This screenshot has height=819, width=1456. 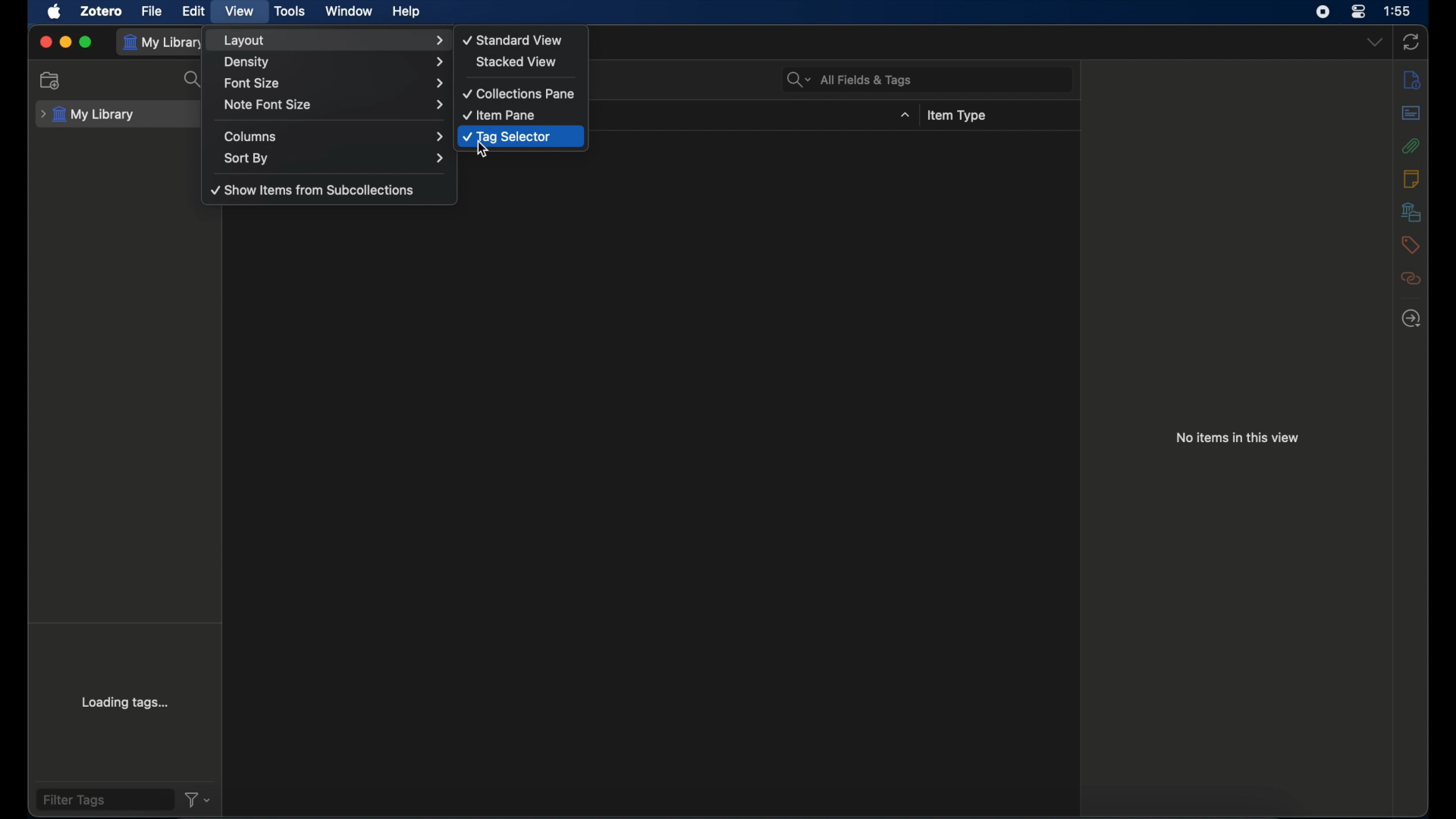 What do you see at coordinates (1414, 318) in the screenshot?
I see `locate` at bounding box center [1414, 318].